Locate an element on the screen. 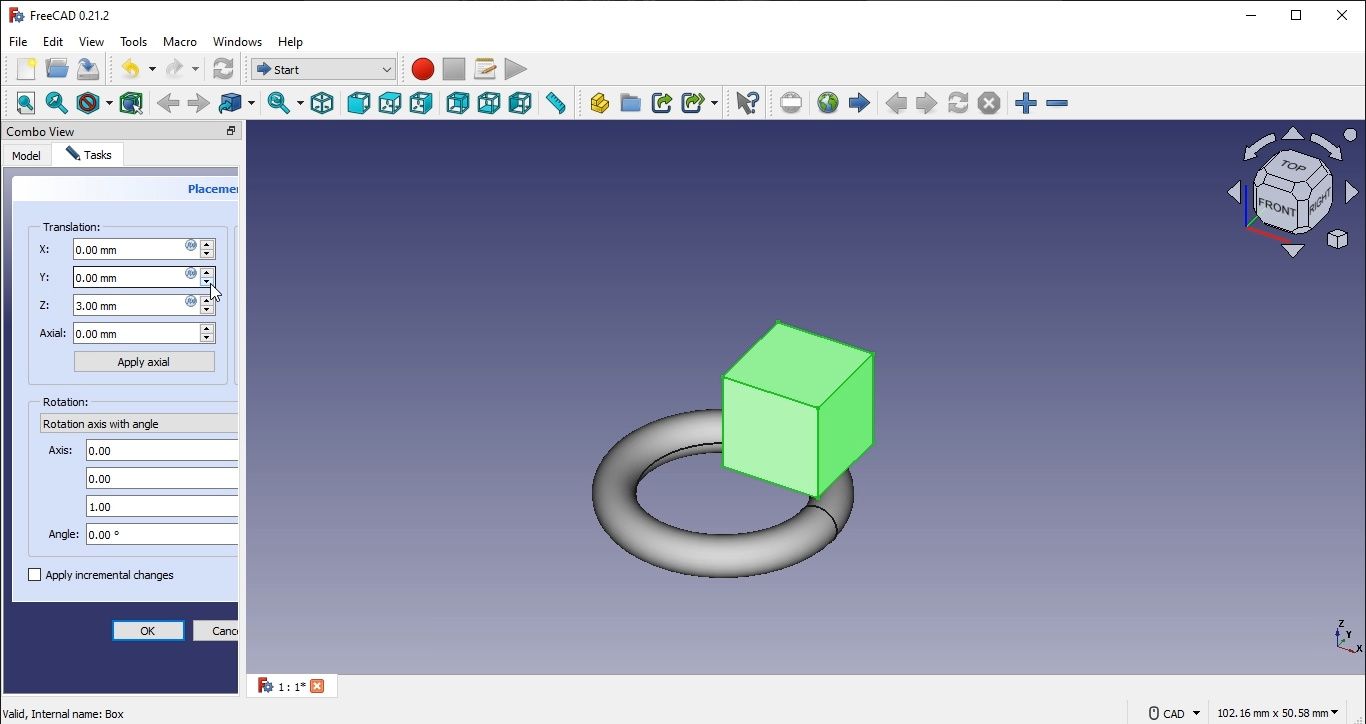 The width and height of the screenshot is (1366, 724). placement is located at coordinates (211, 192).